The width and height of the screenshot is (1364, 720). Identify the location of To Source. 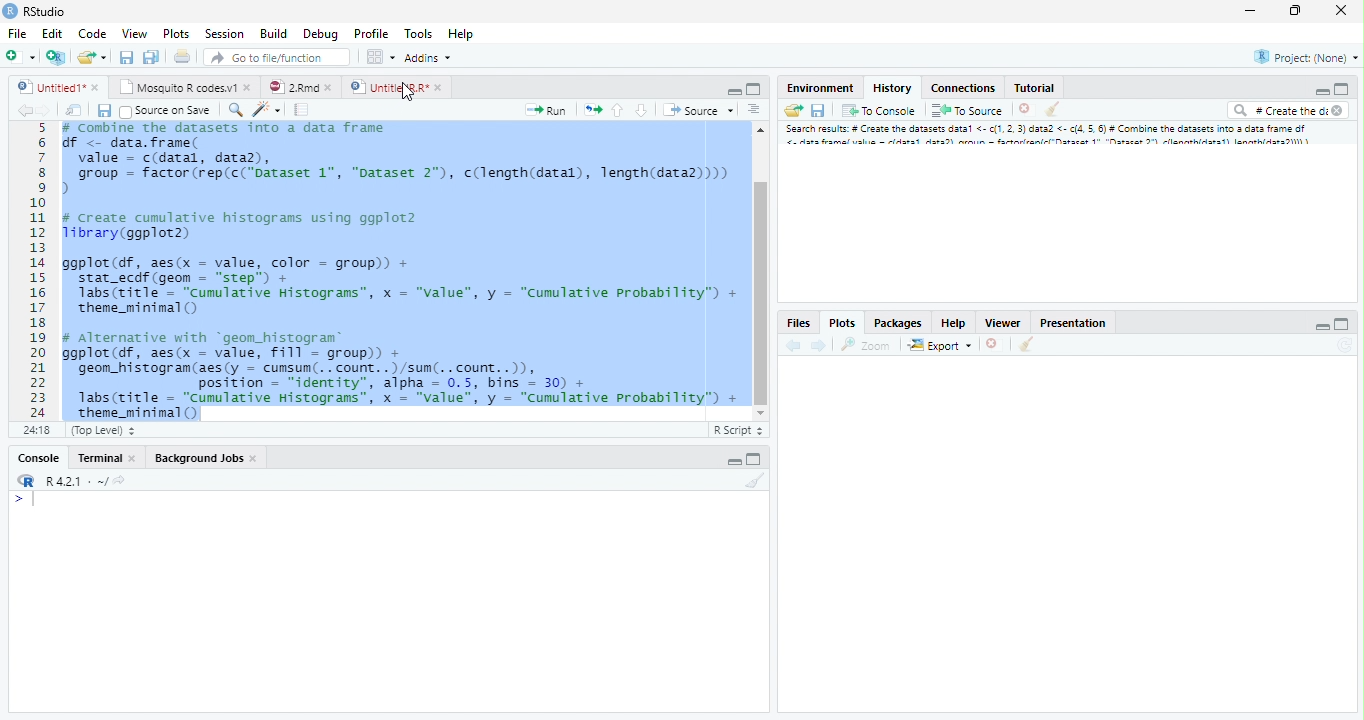
(968, 110).